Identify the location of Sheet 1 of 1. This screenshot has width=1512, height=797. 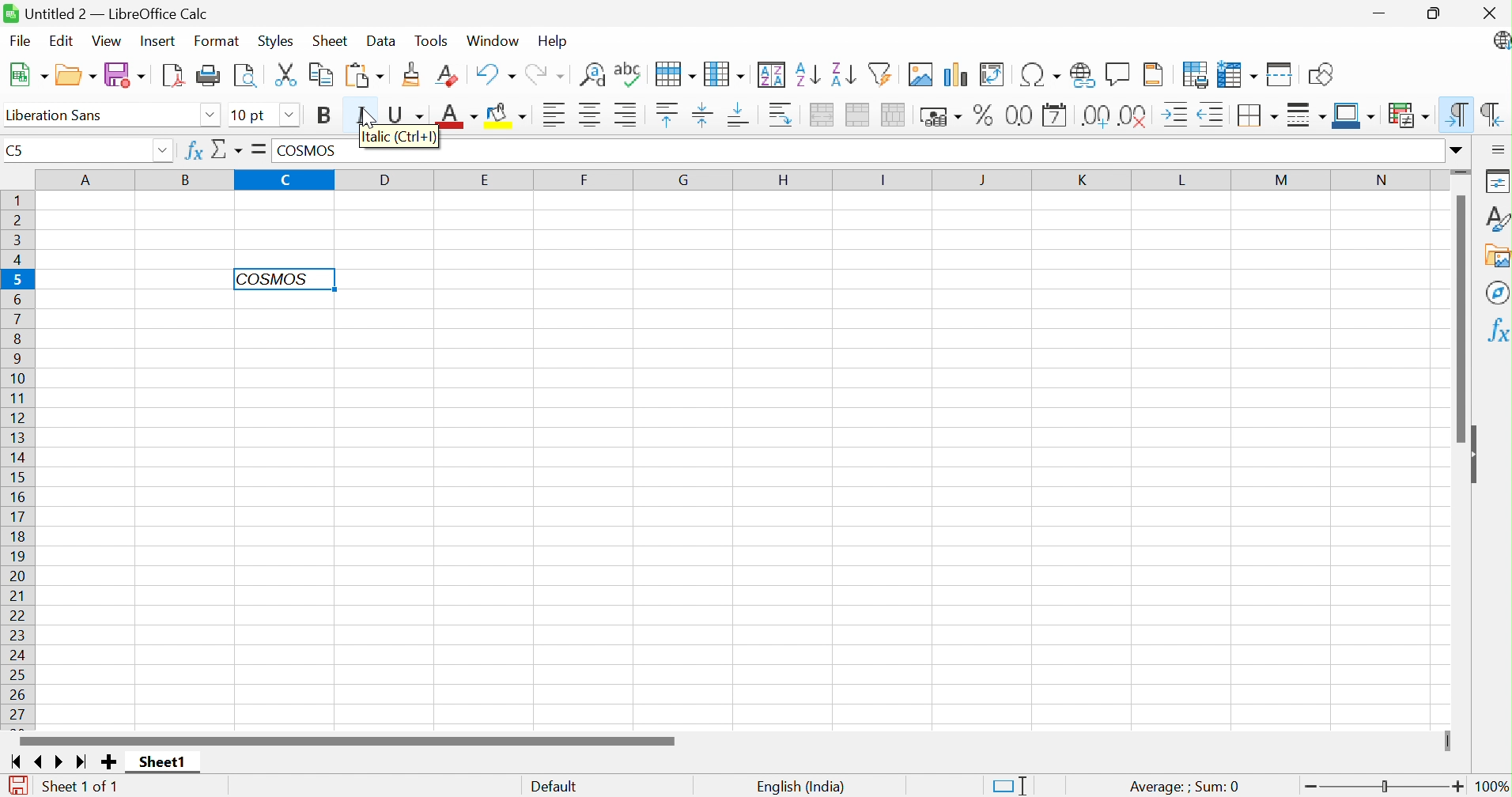
(81, 788).